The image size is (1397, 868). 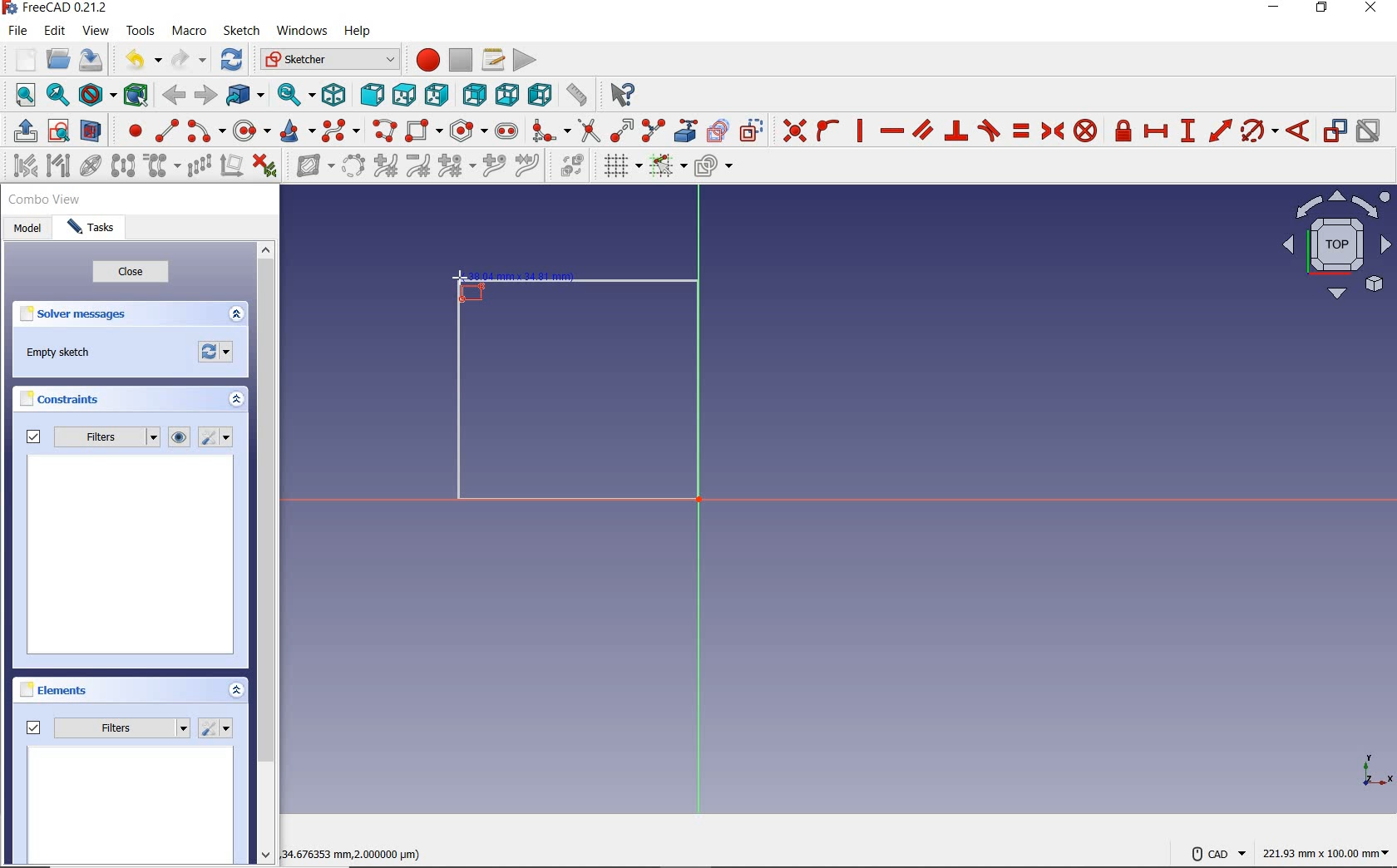 What do you see at coordinates (264, 167) in the screenshot?
I see `delete all constraints` at bounding box center [264, 167].